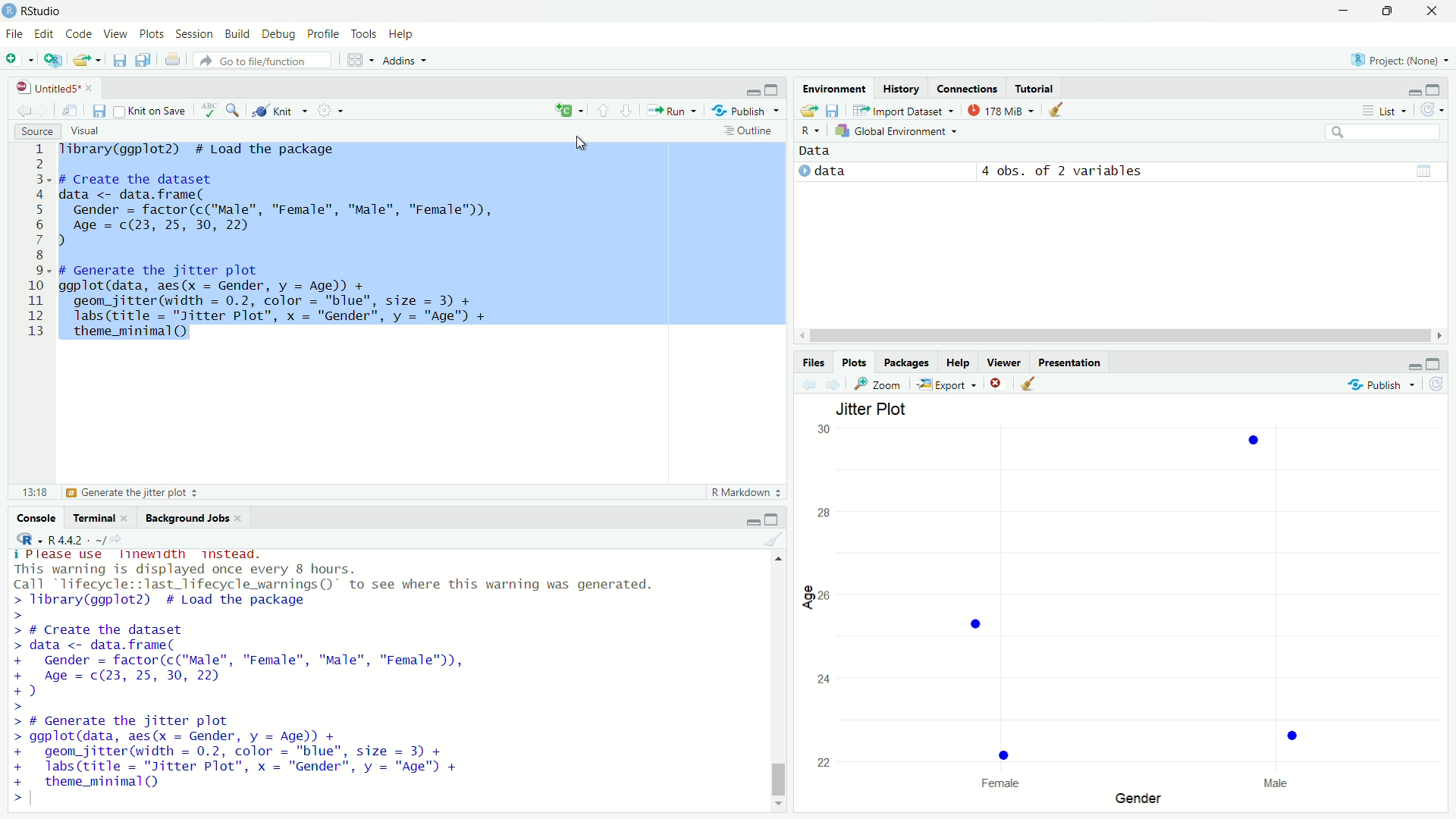 Image resolution: width=1456 pixels, height=819 pixels. What do you see at coordinates (1031, 384) in the screenshot?
I see `clear all plots` at bounding box center [1031, 384].